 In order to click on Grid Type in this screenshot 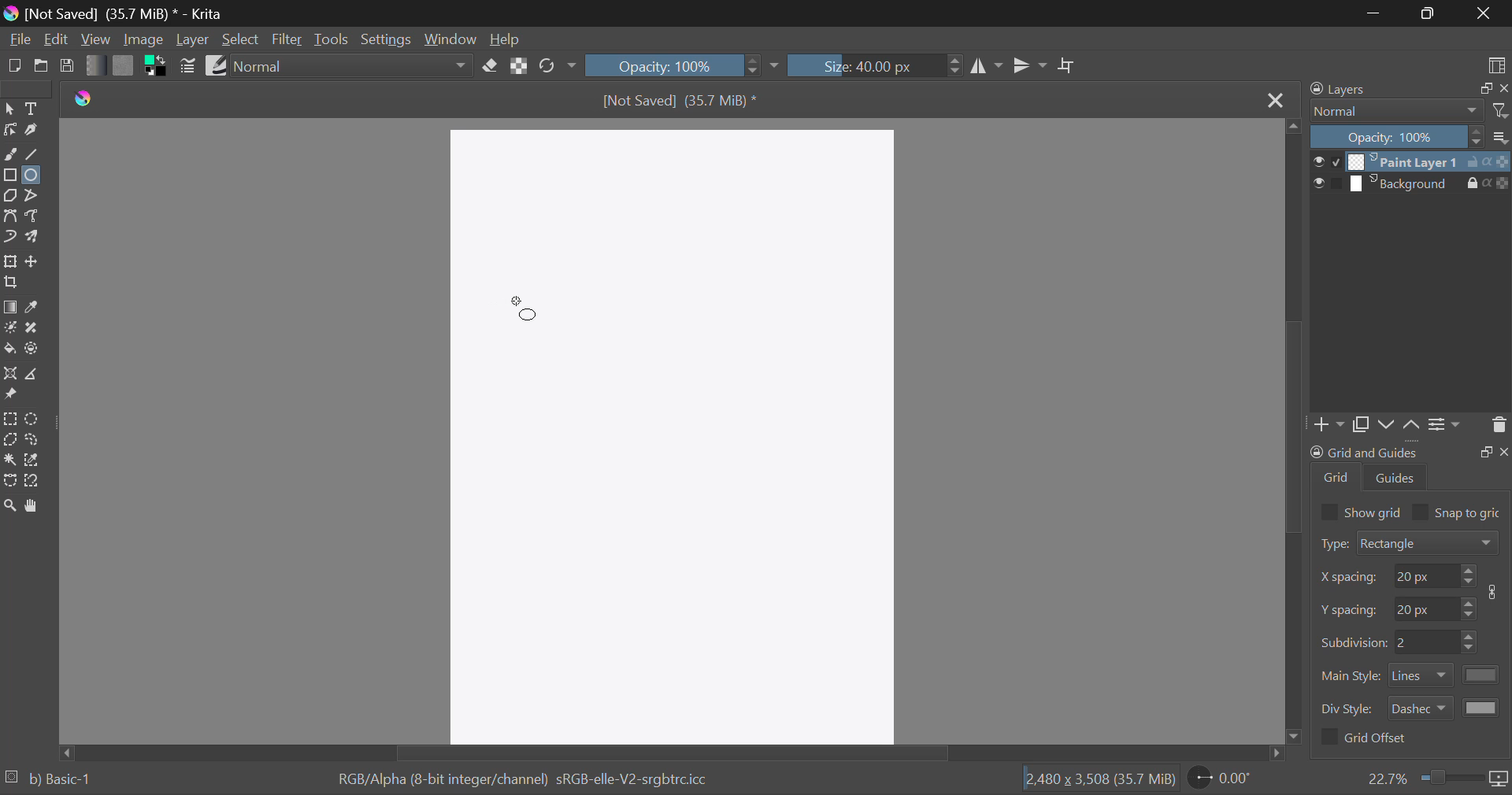, I will do `click(1411, 545)`.